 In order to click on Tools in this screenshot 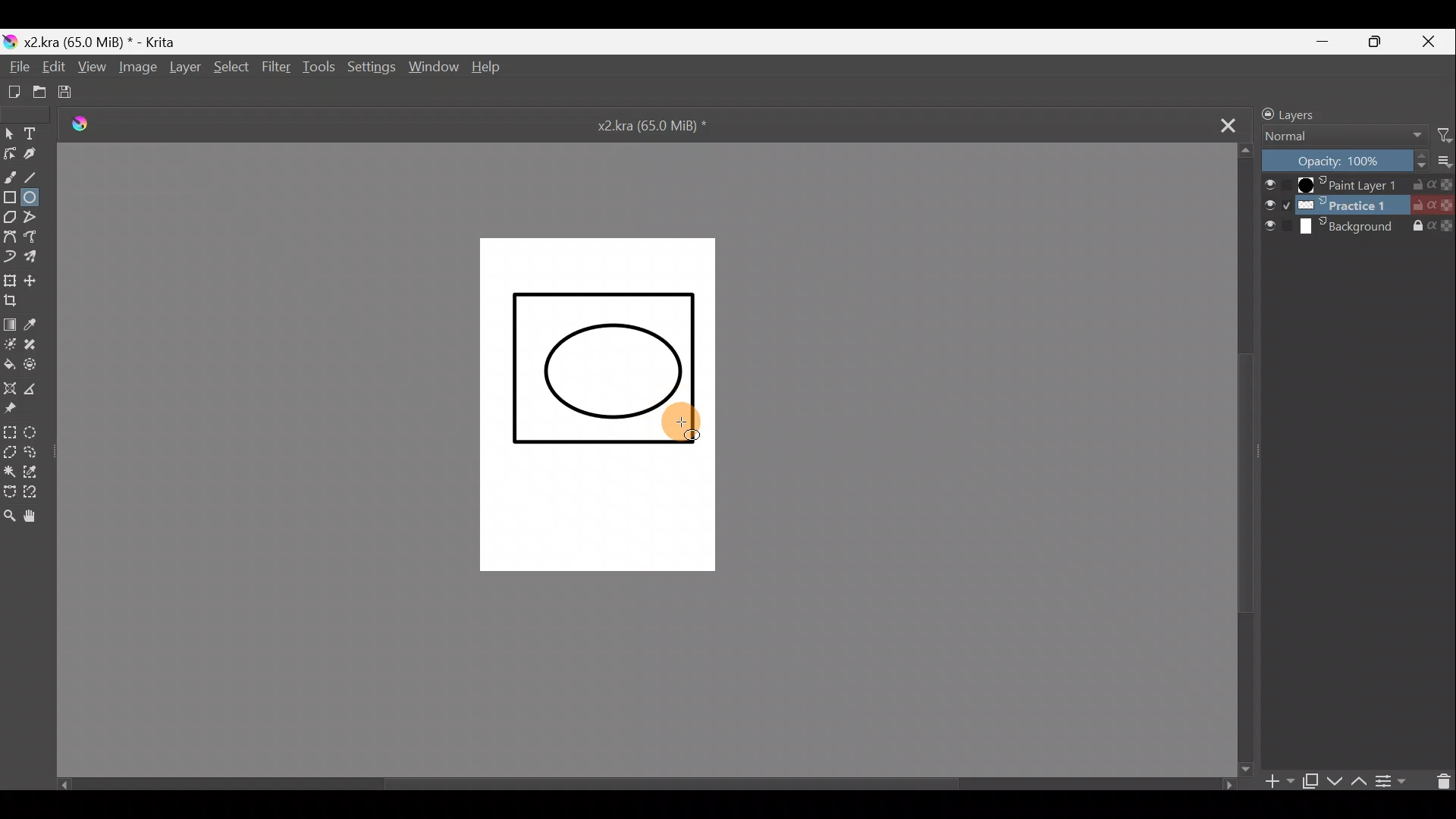, I will do `click(322, 68)`.